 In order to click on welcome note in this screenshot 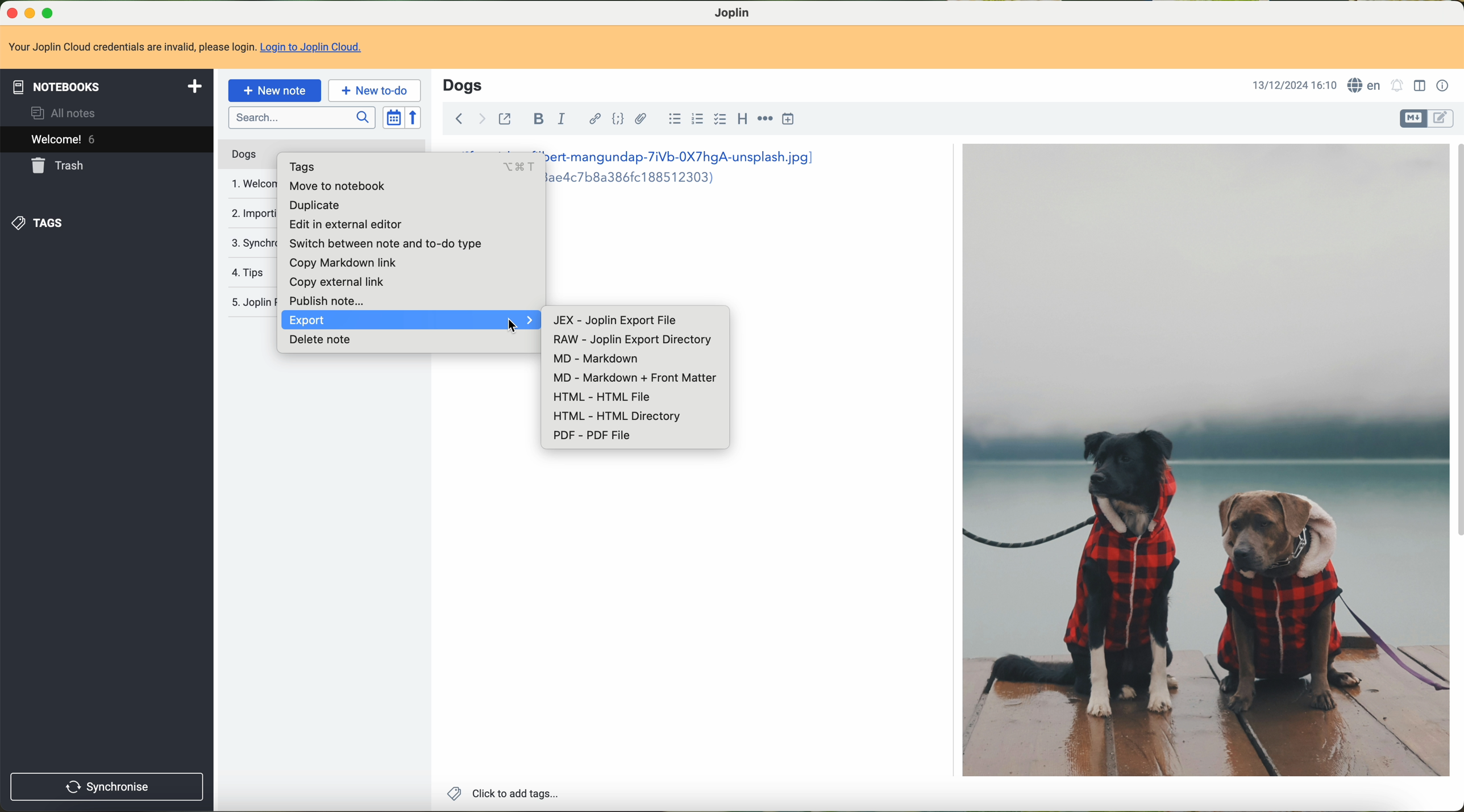, I will do `click(249, 182)`.